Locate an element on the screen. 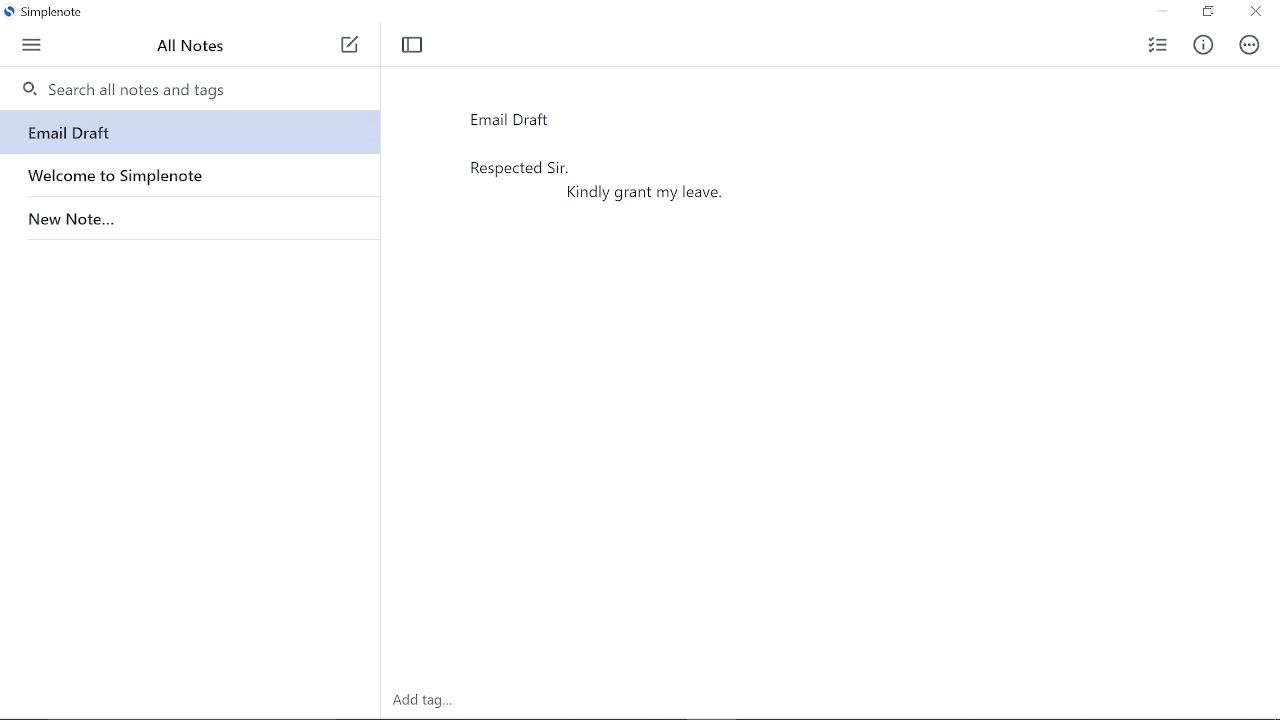 The height and width of the screenshot is (720, 1280). All notes is located at coordinates (217, 46).